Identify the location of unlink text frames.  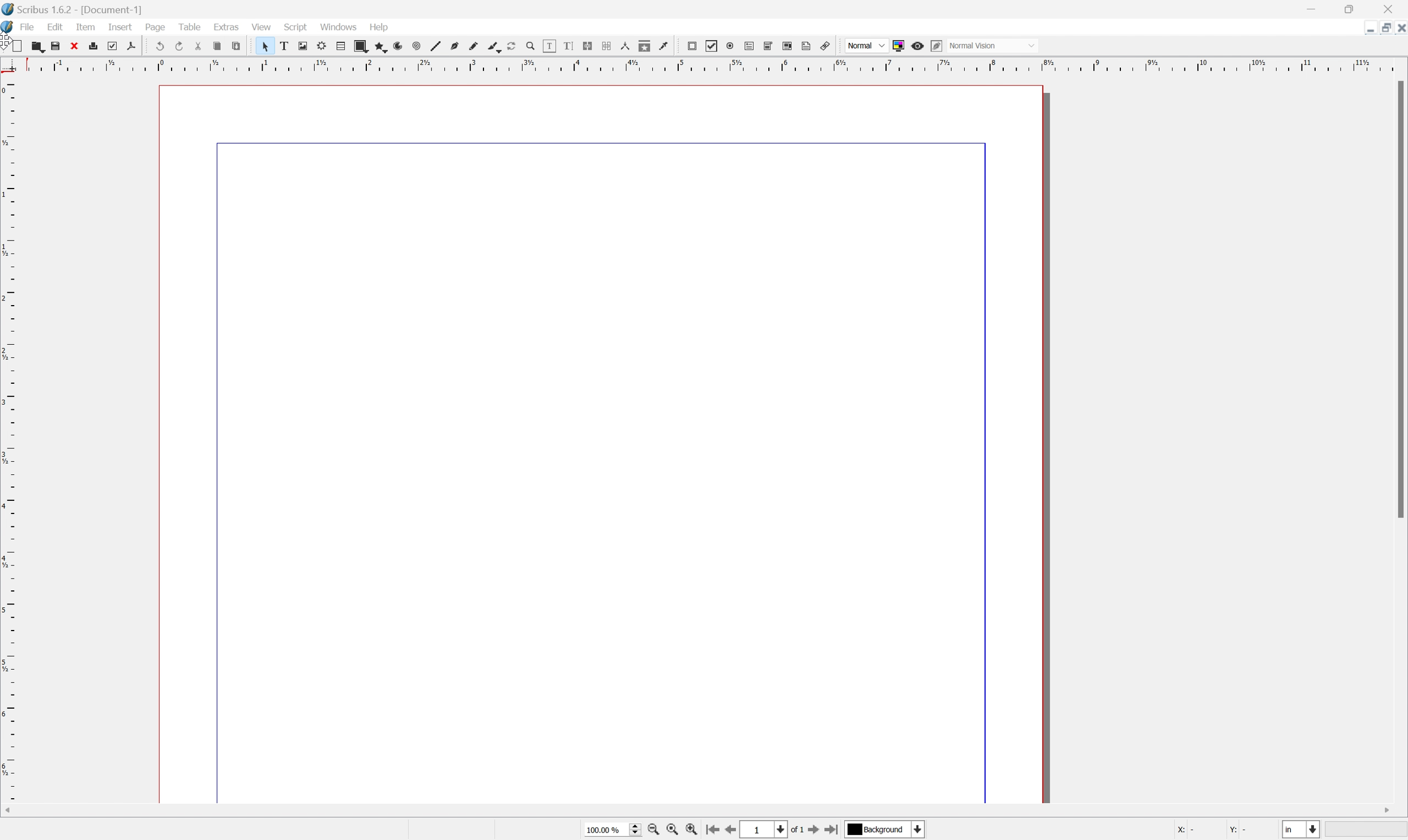
(606, 46).